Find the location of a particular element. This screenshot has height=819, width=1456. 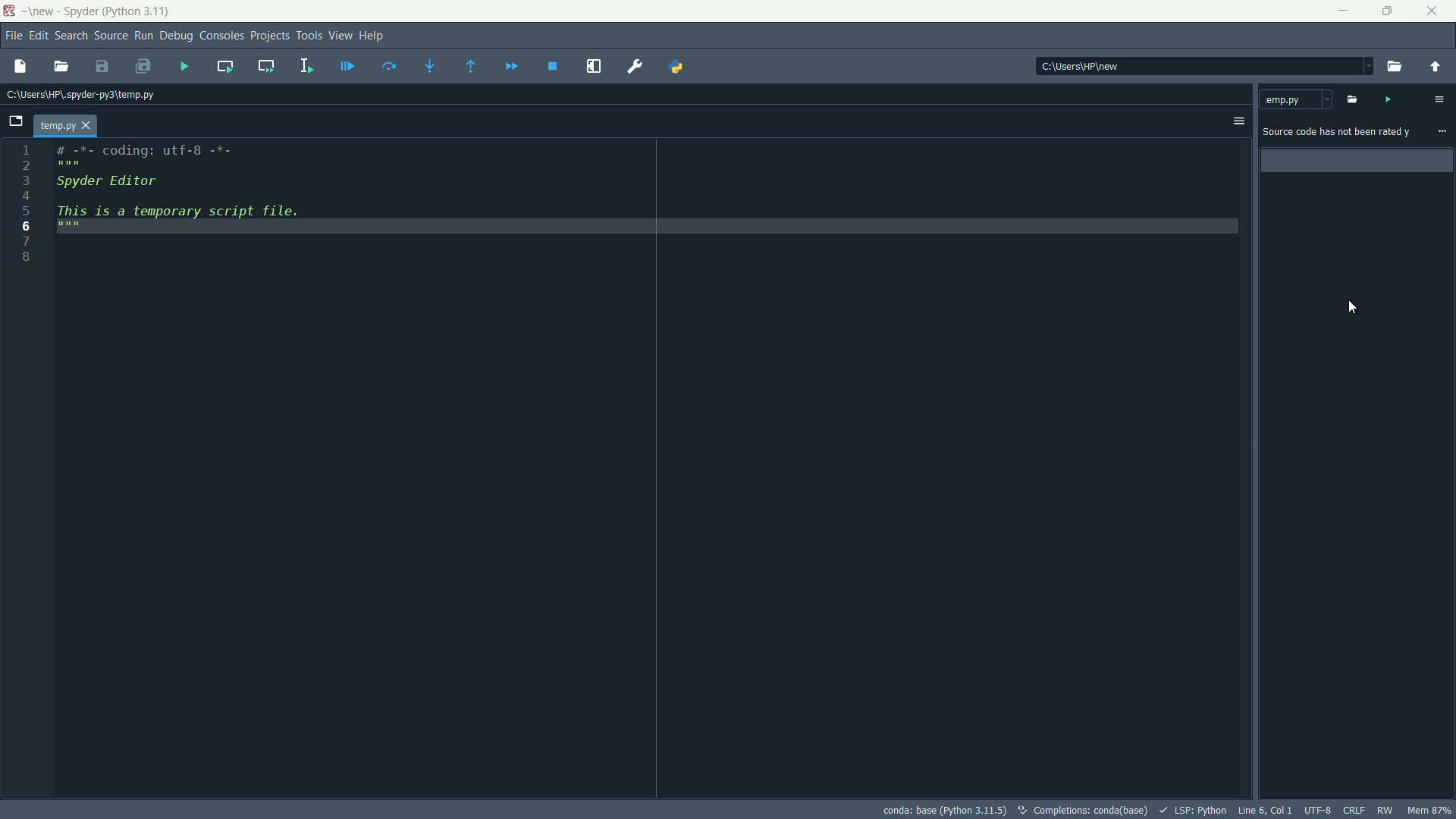

2 is located at coordinates (26, 166).